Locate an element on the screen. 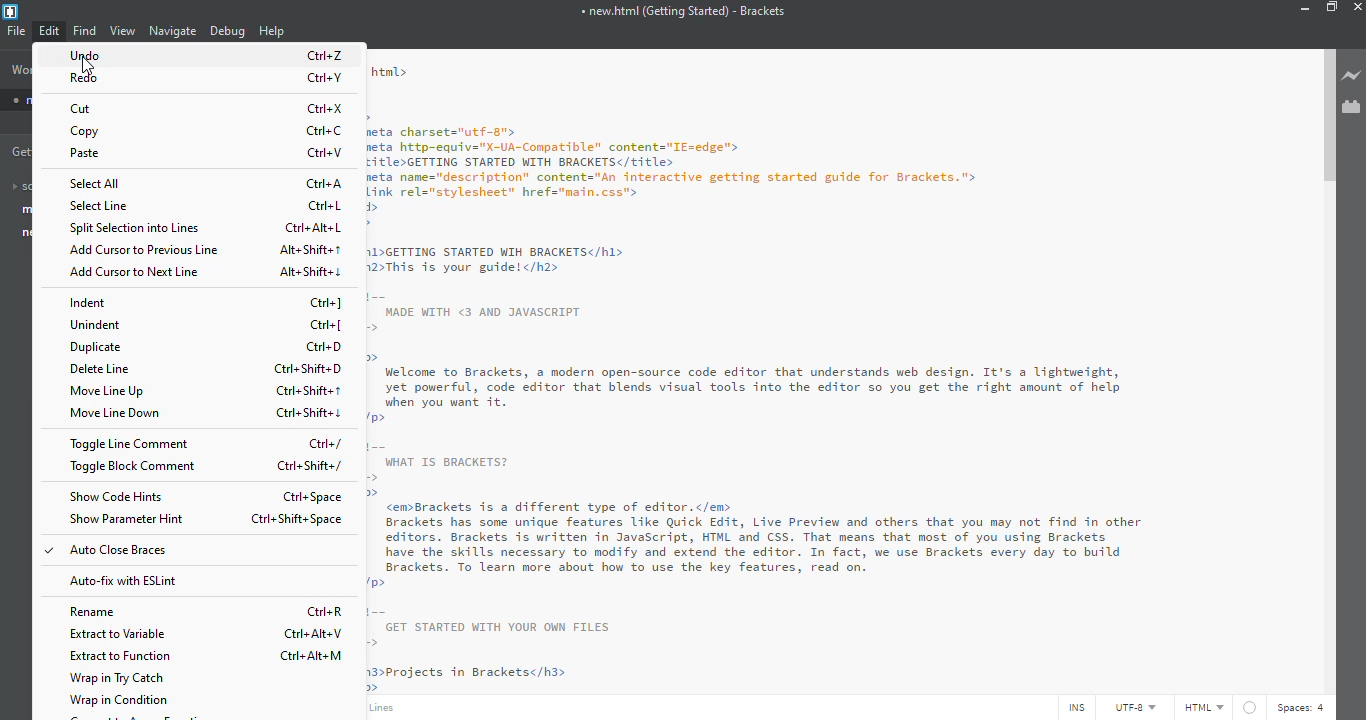 This screenshot has width=1366, height=720. edit is located at coordinates (51, 31).